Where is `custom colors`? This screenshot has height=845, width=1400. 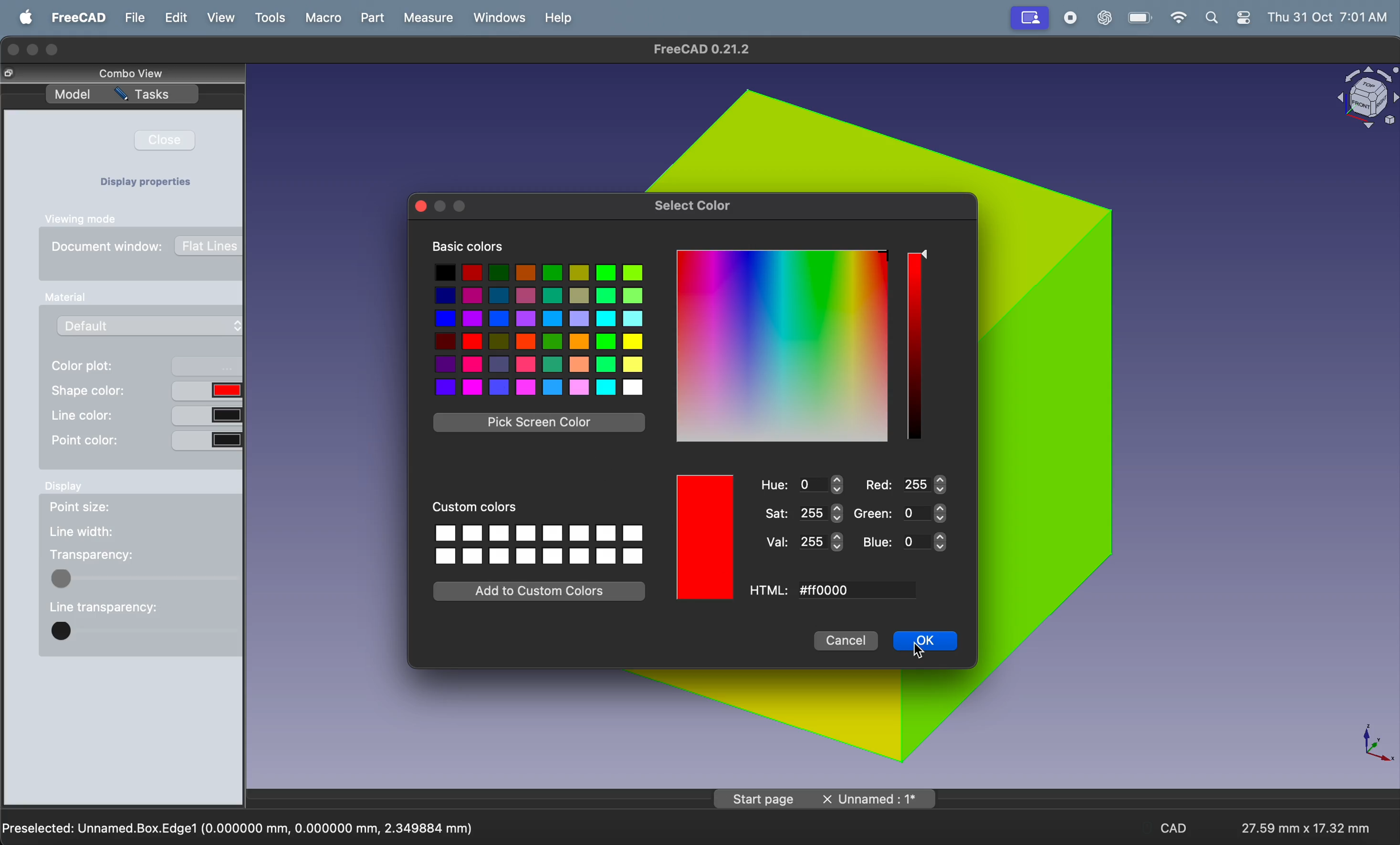 custom colors is located at coordinates (476, 509).